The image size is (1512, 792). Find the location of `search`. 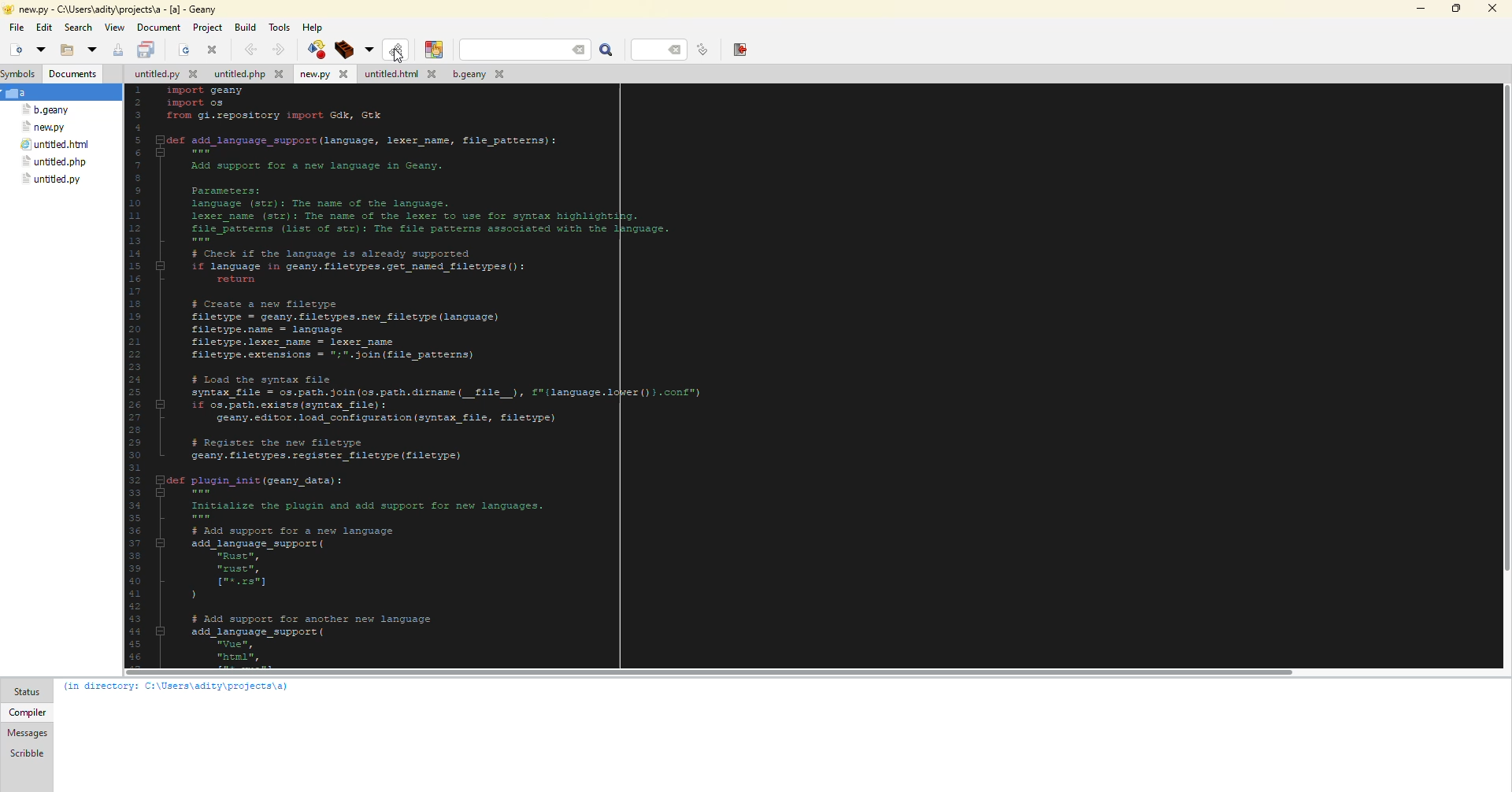

search is located at coordinates (608, 50).